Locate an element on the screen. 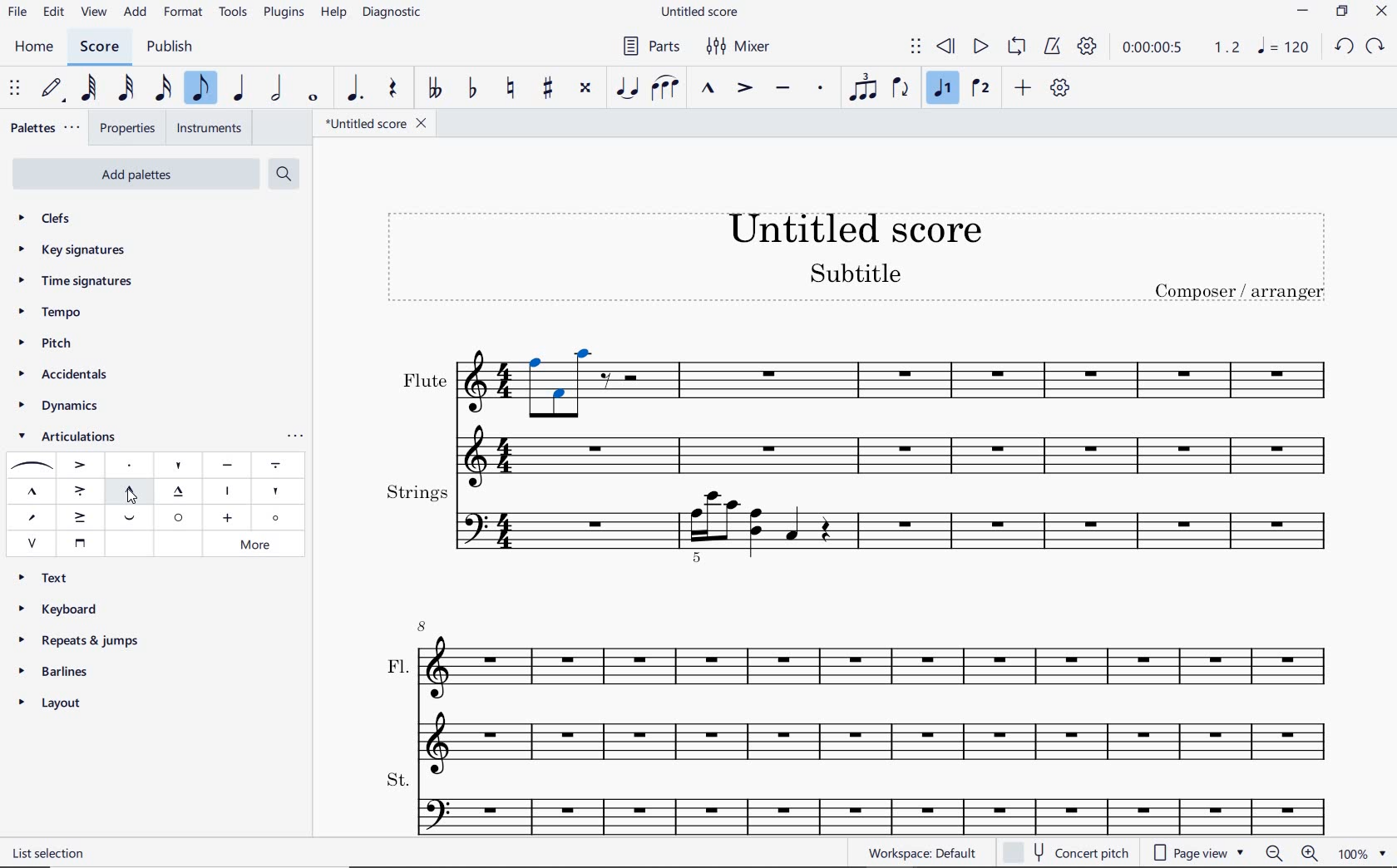 The image size is (1397, 868). TOGGLE DOUBLE-FLAT is located at coordinates (435, 89).